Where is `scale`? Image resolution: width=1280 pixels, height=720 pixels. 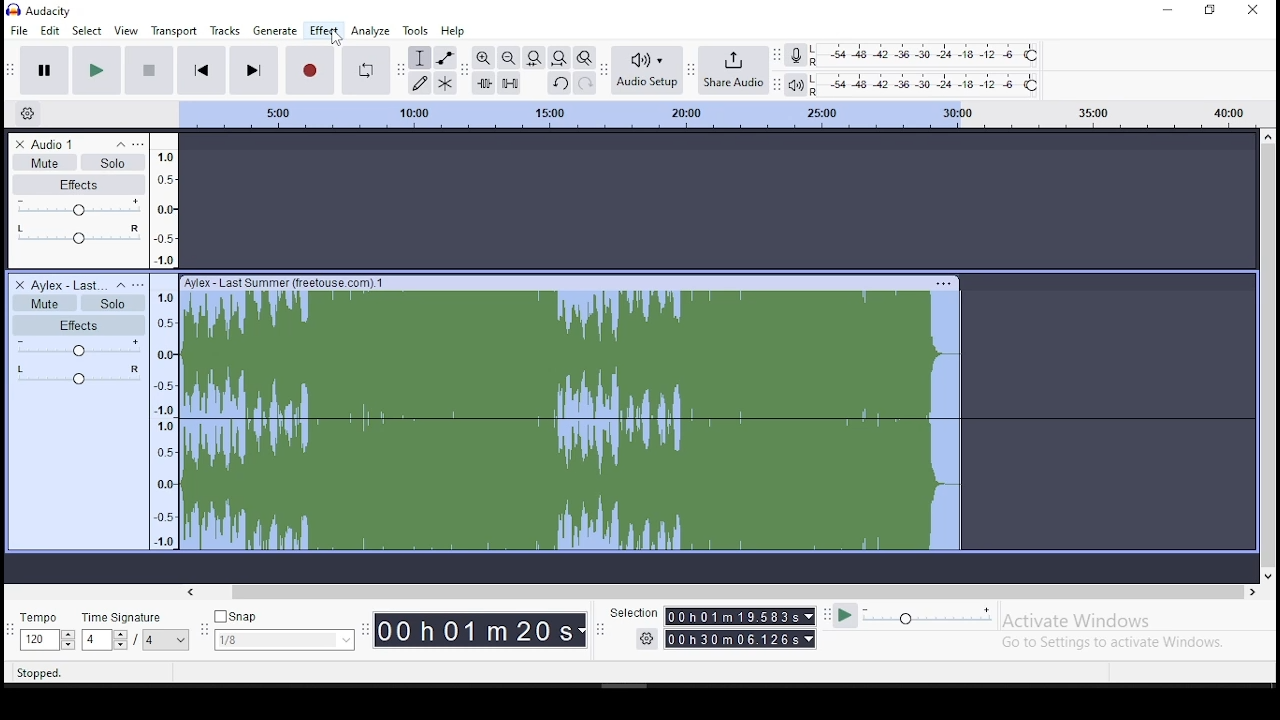 scale is located at coordinates (164, 340).